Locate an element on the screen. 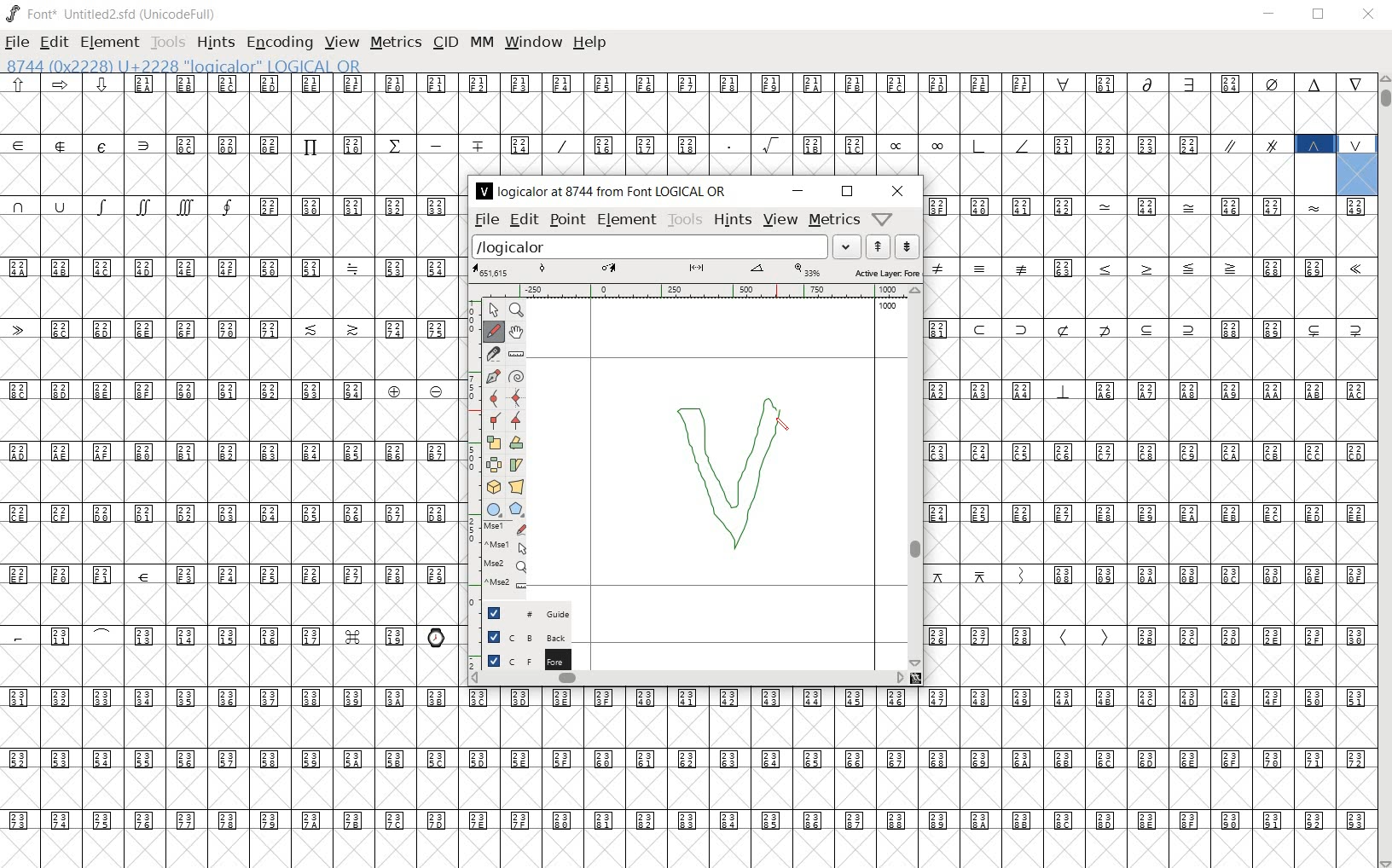 The image size is (1392, 868). file is located at coordinates (18, 42).